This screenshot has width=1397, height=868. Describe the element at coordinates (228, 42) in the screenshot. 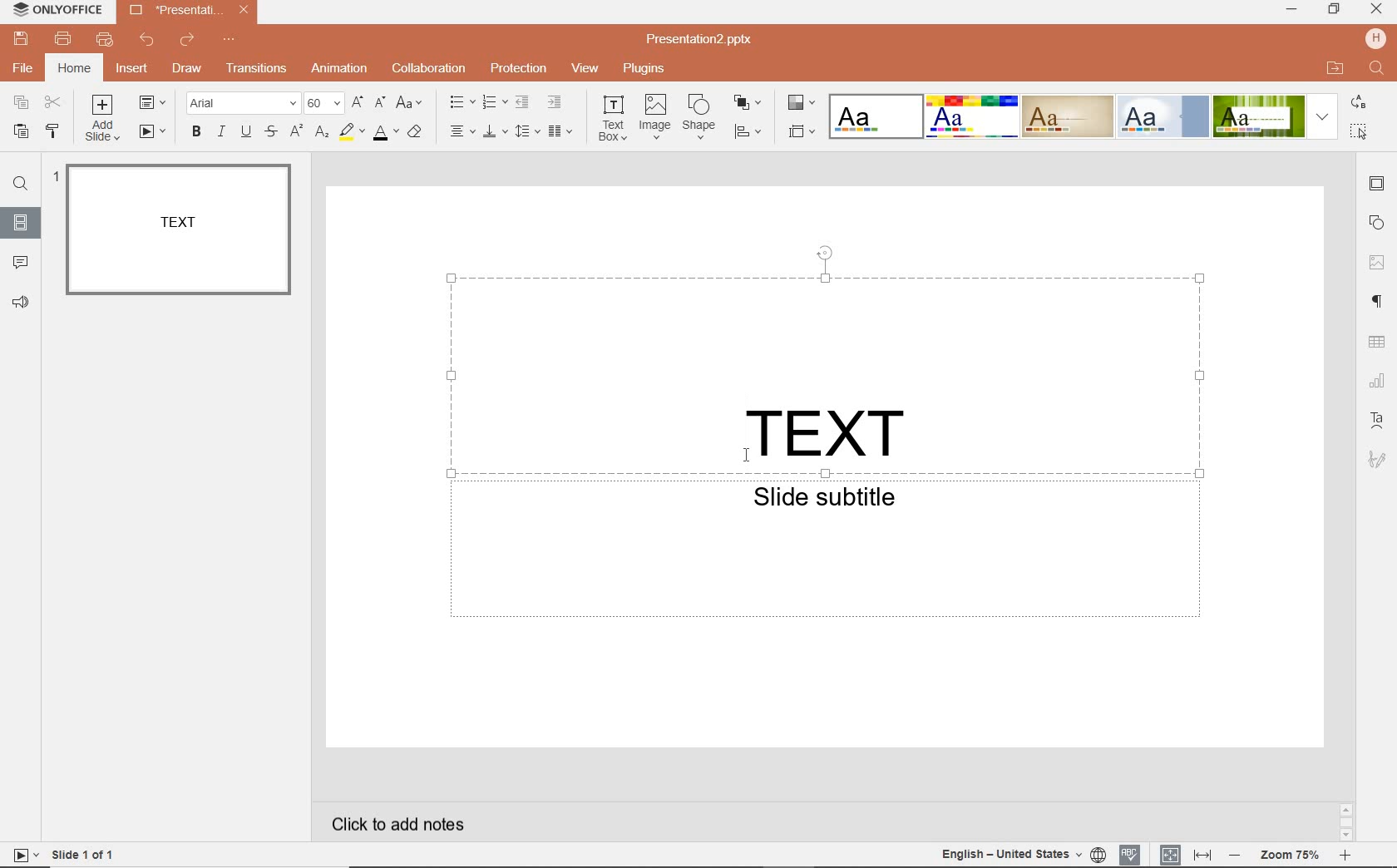

I see `CUSTOMIZE QUICK ACCESS TOOLBAR` at that location.